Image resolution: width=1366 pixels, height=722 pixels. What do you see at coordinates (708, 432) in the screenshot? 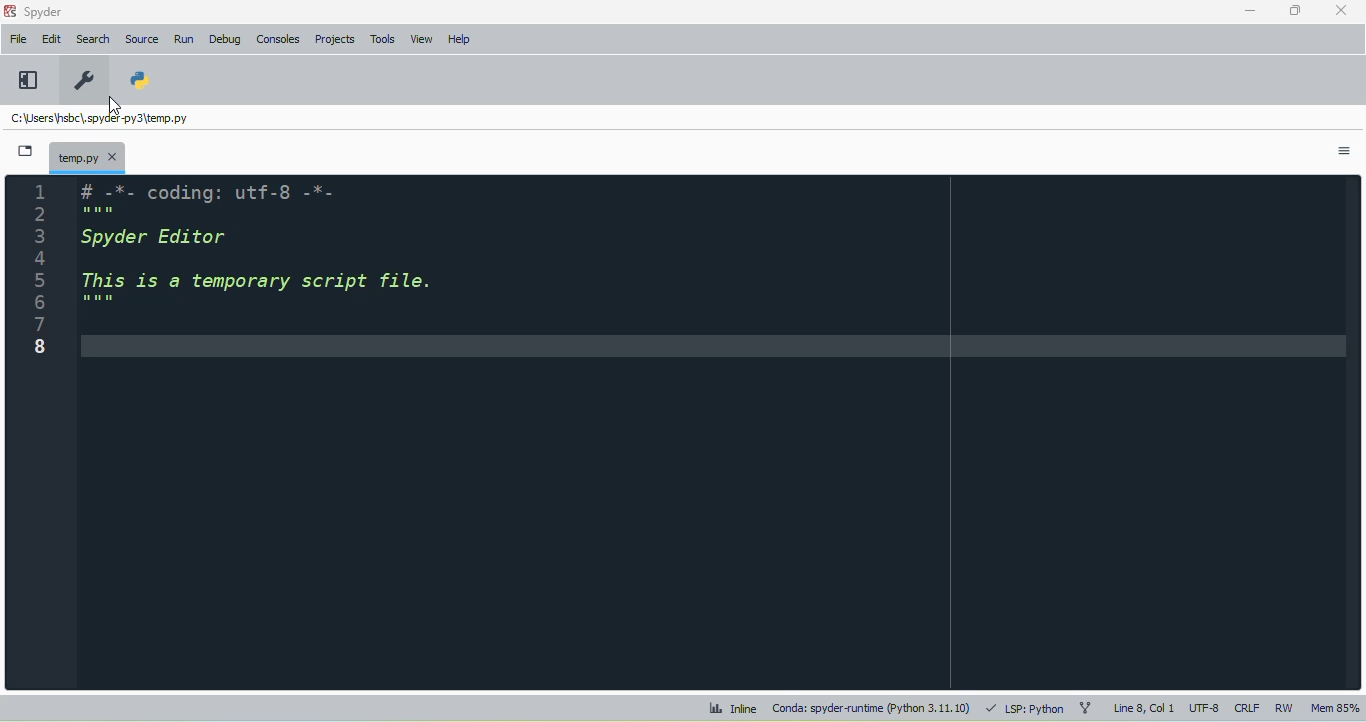
I see `editor` at bounding box center [708, 432].